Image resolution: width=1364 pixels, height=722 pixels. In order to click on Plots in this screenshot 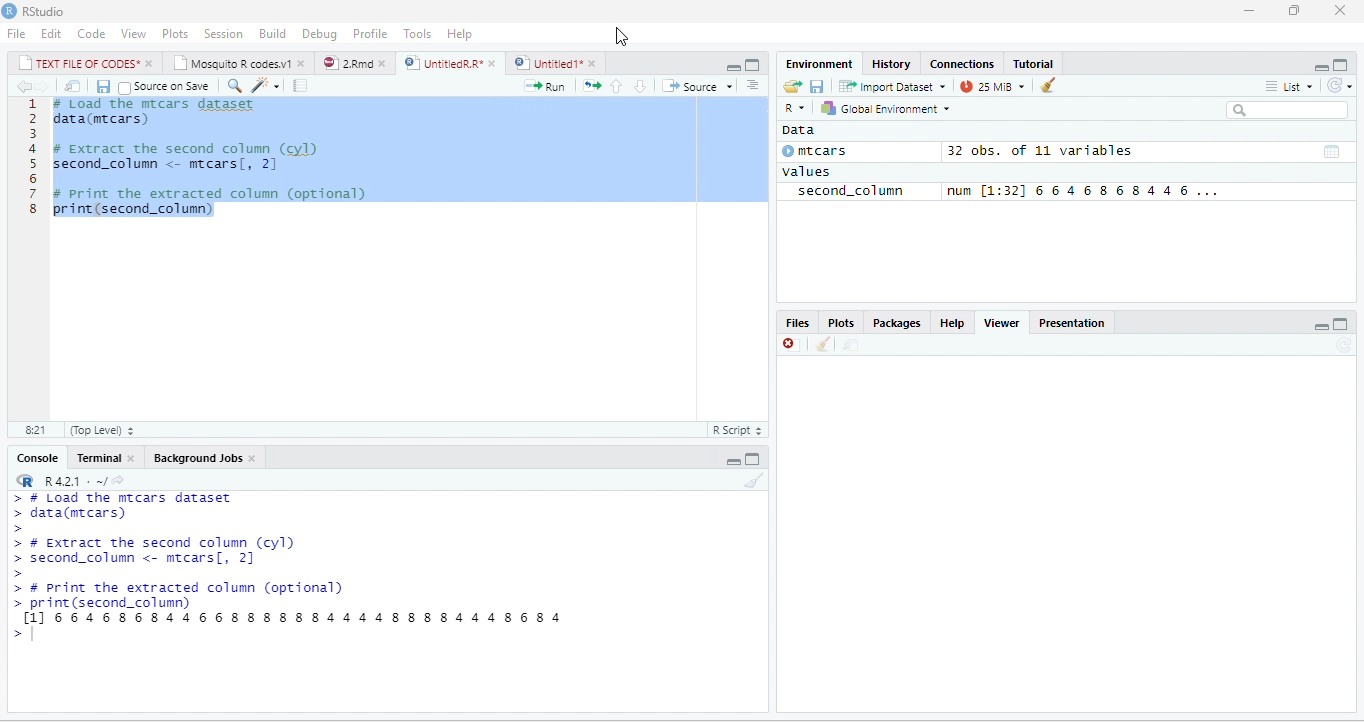, I will do `click(175, 32)`.